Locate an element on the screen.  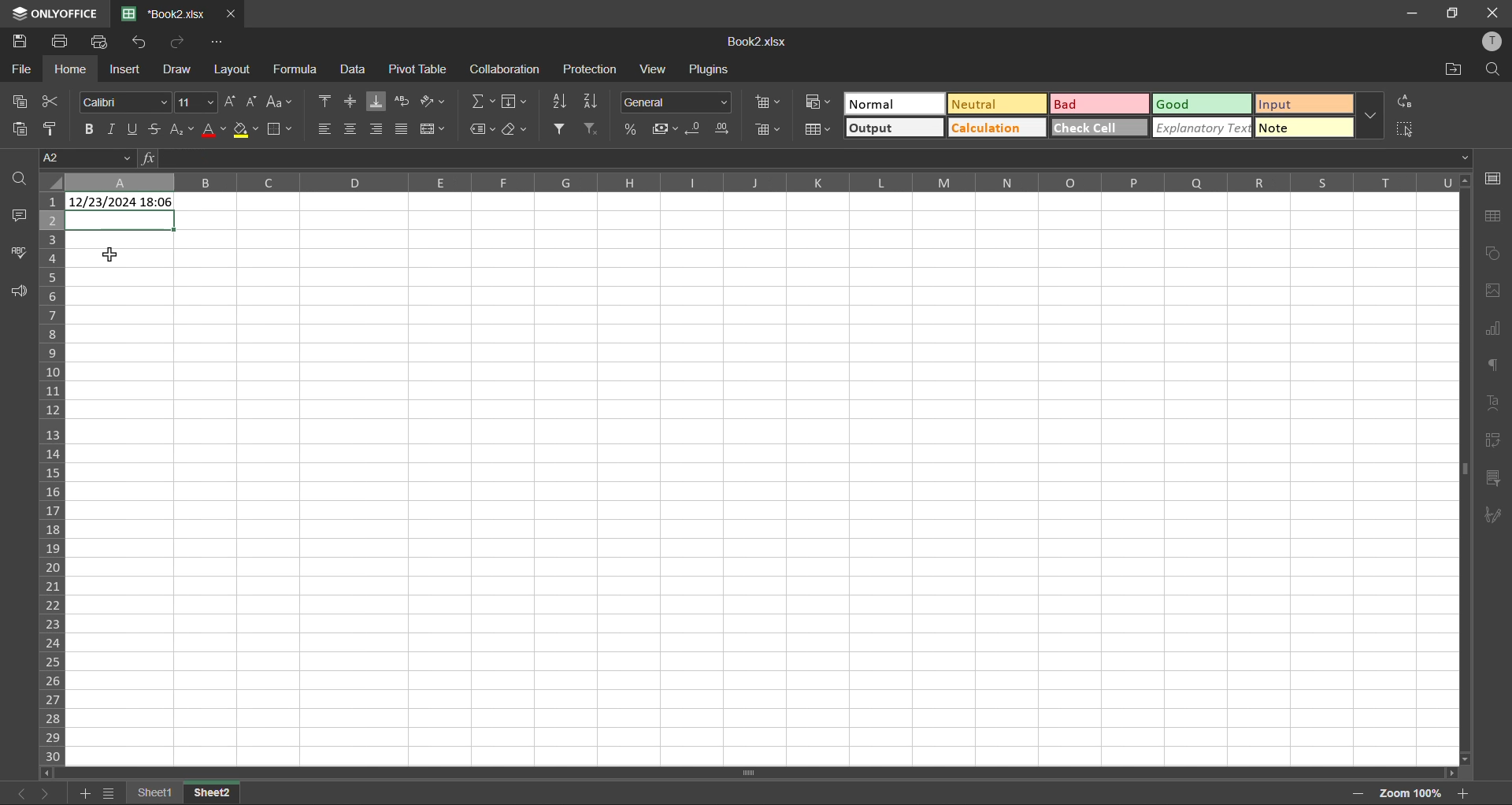
collaboration is located at coordinates (505, 72).